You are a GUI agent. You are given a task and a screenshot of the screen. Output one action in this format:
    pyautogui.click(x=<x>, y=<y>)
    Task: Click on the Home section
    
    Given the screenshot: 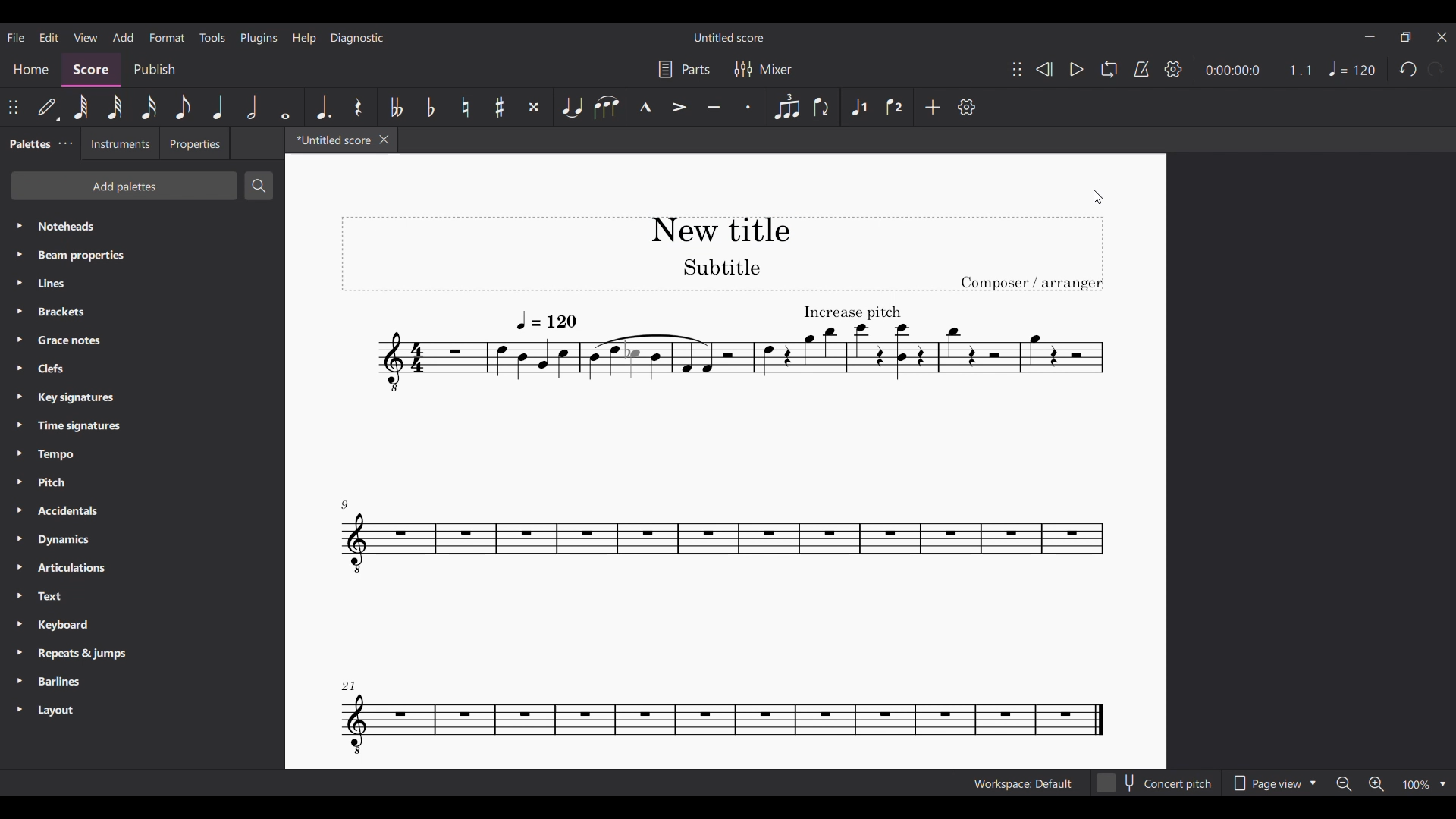 What is the action you would take?
    pyautogui.click(x=31, y=70)
    